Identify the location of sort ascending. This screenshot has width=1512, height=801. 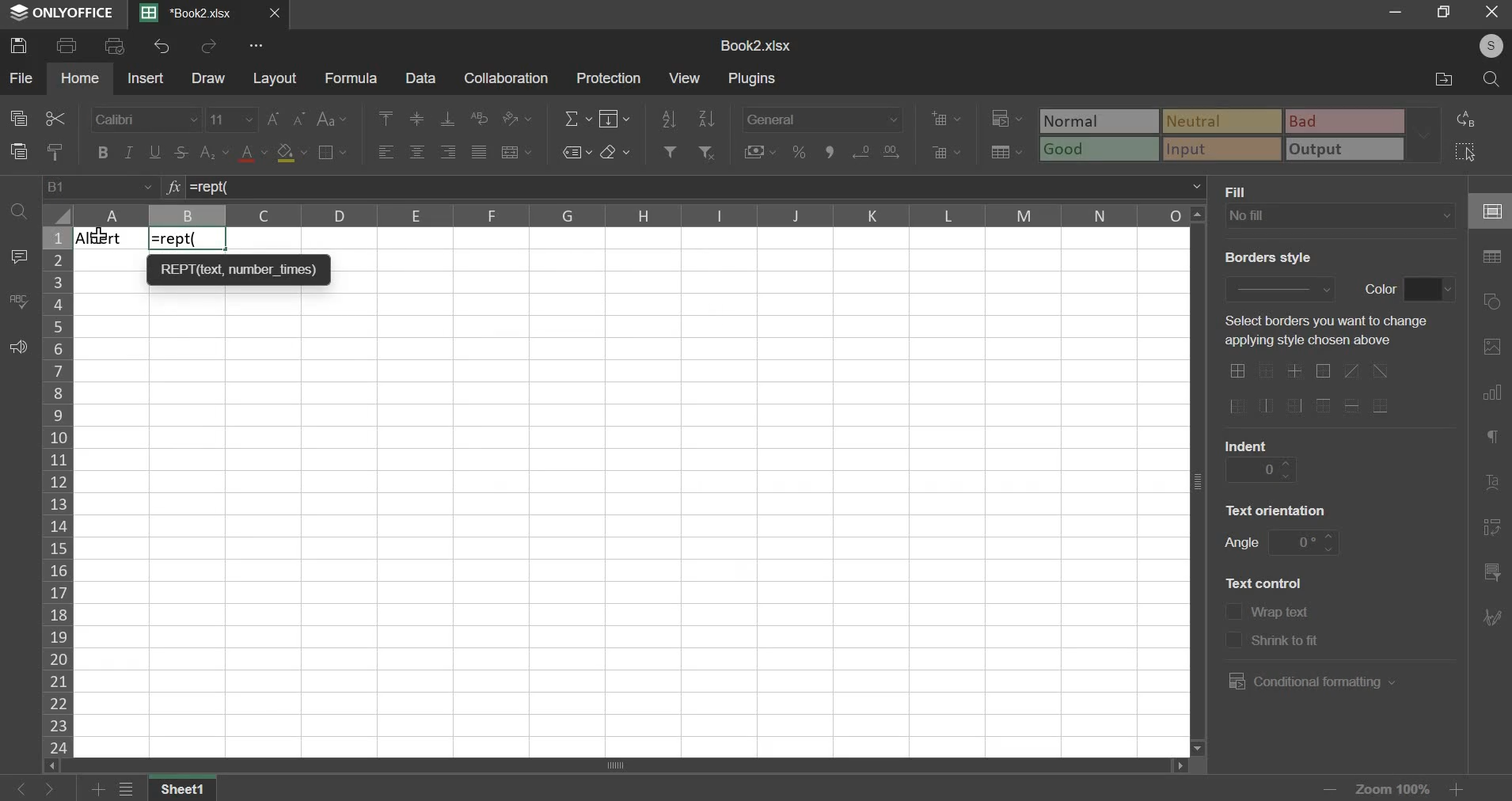
(669, 119).